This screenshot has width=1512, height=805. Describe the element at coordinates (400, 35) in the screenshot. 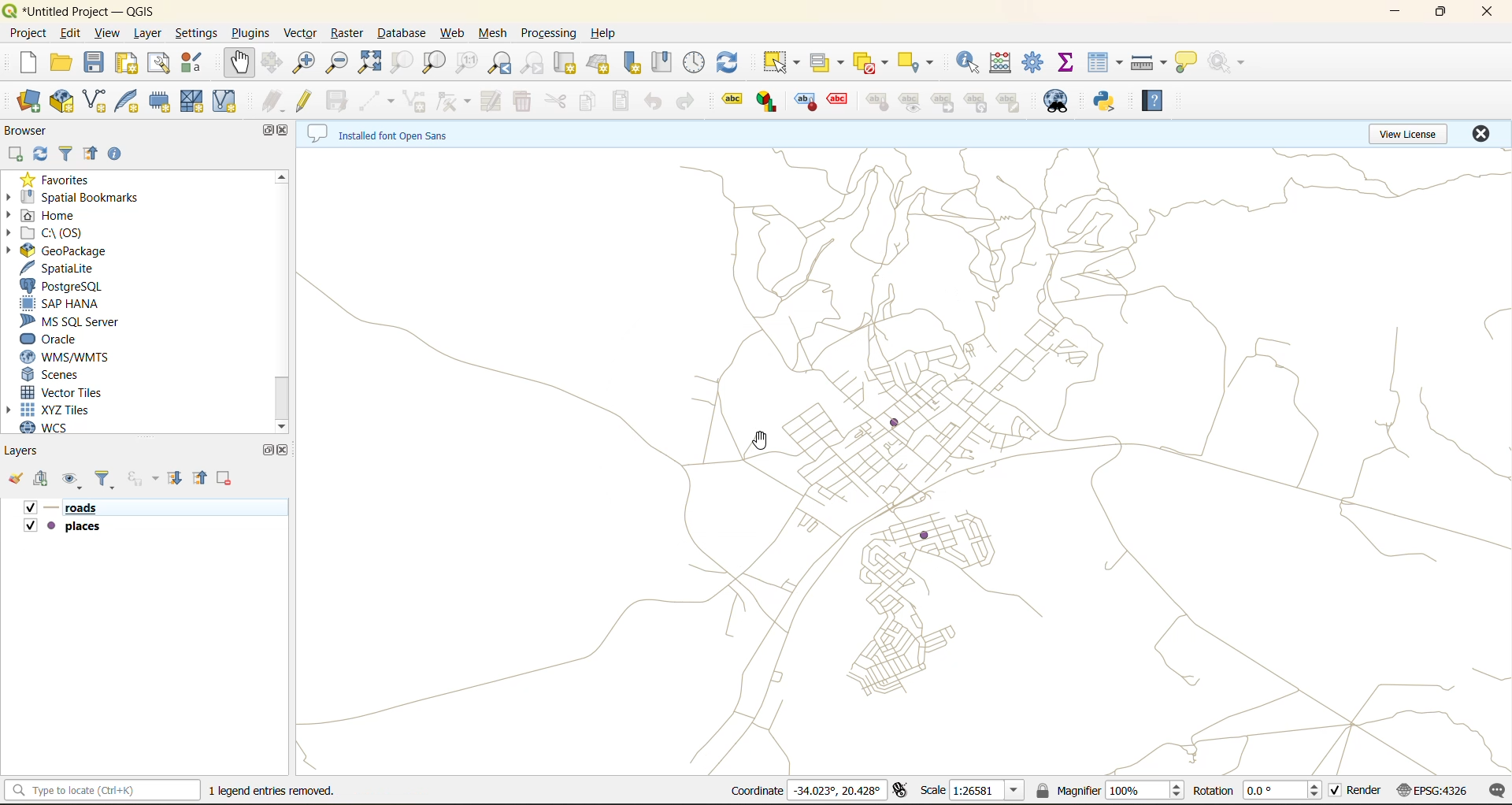

I see `database` at that location.